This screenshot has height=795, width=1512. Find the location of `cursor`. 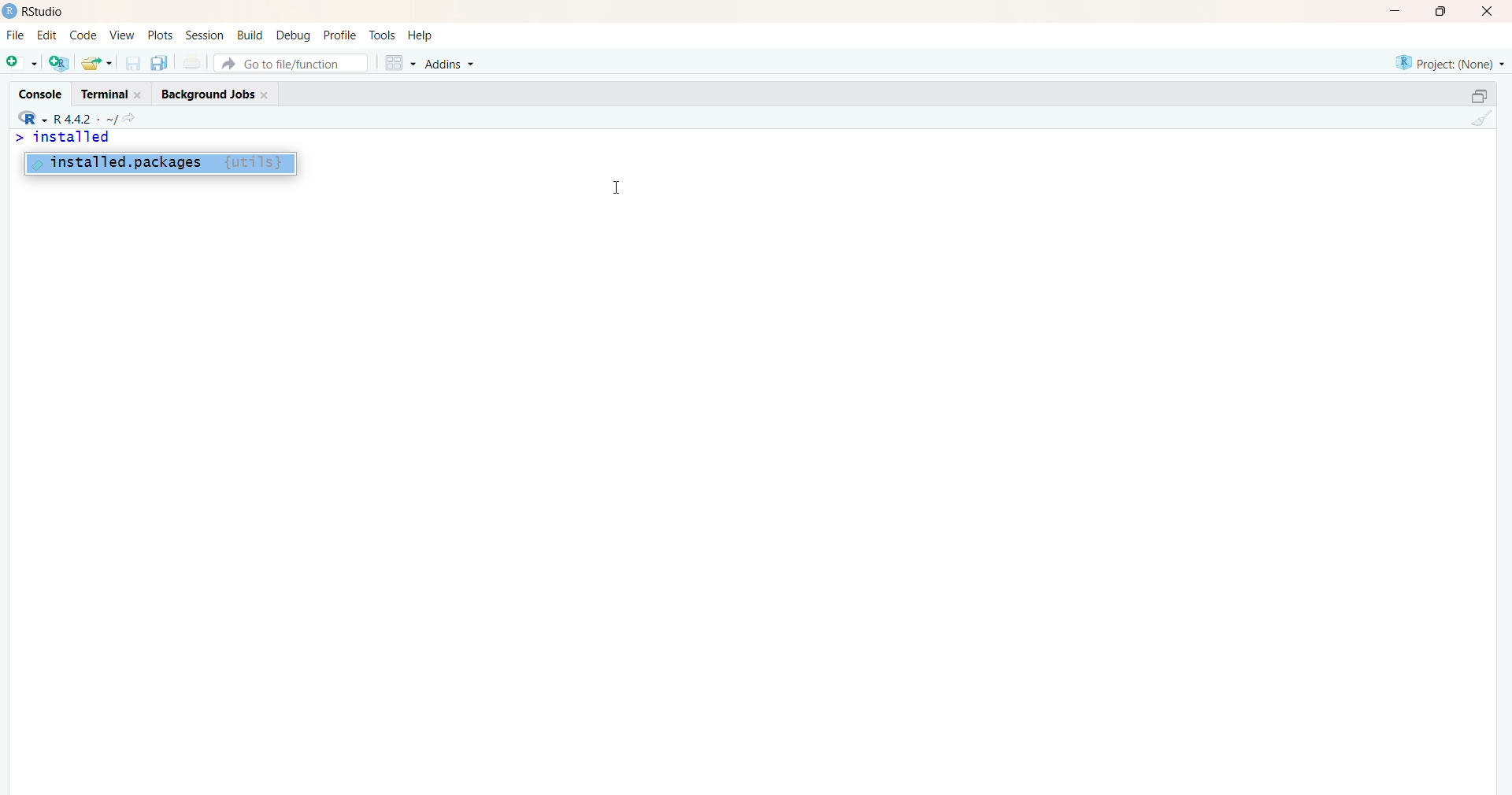

cursor is located at coordinates (617, 187).